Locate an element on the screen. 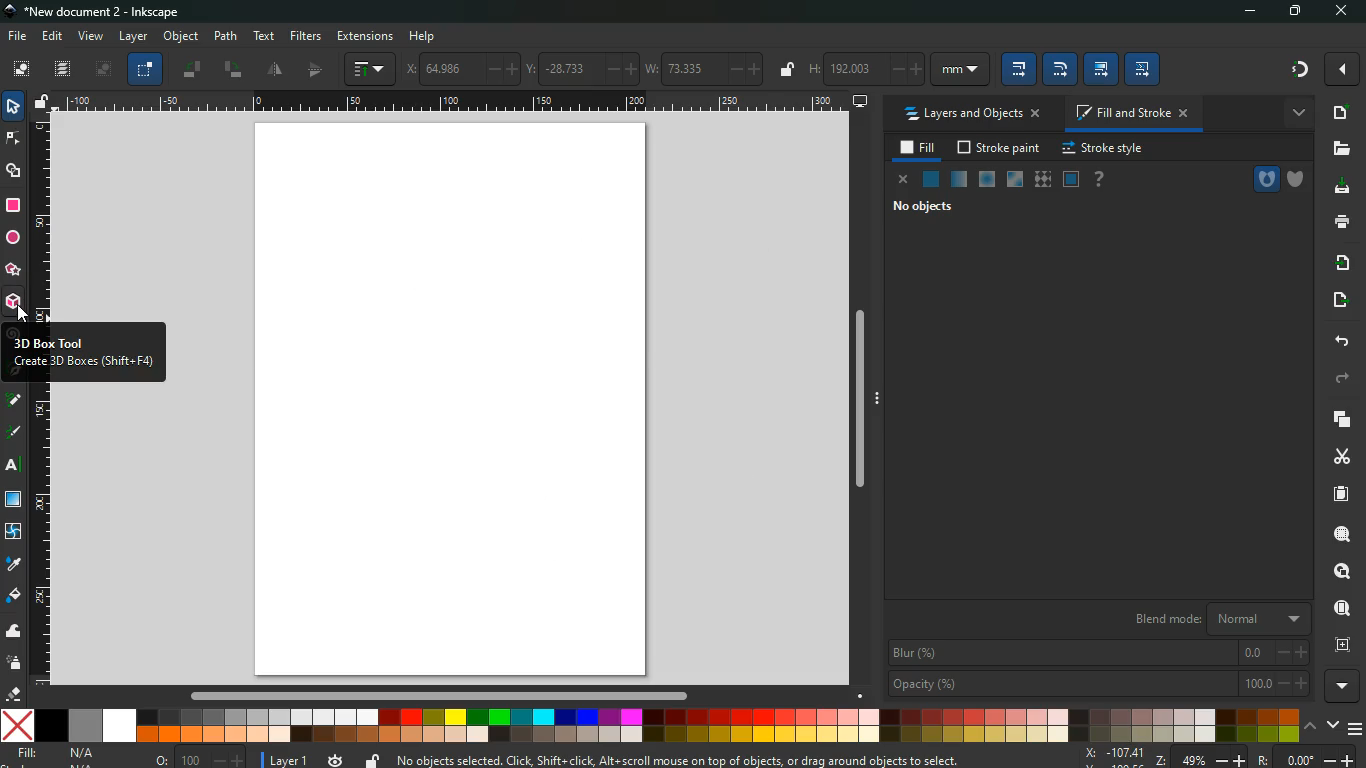 Image resolution: width=1366 pixels, height=768 pixels. object is located at coordinates (183, 38).